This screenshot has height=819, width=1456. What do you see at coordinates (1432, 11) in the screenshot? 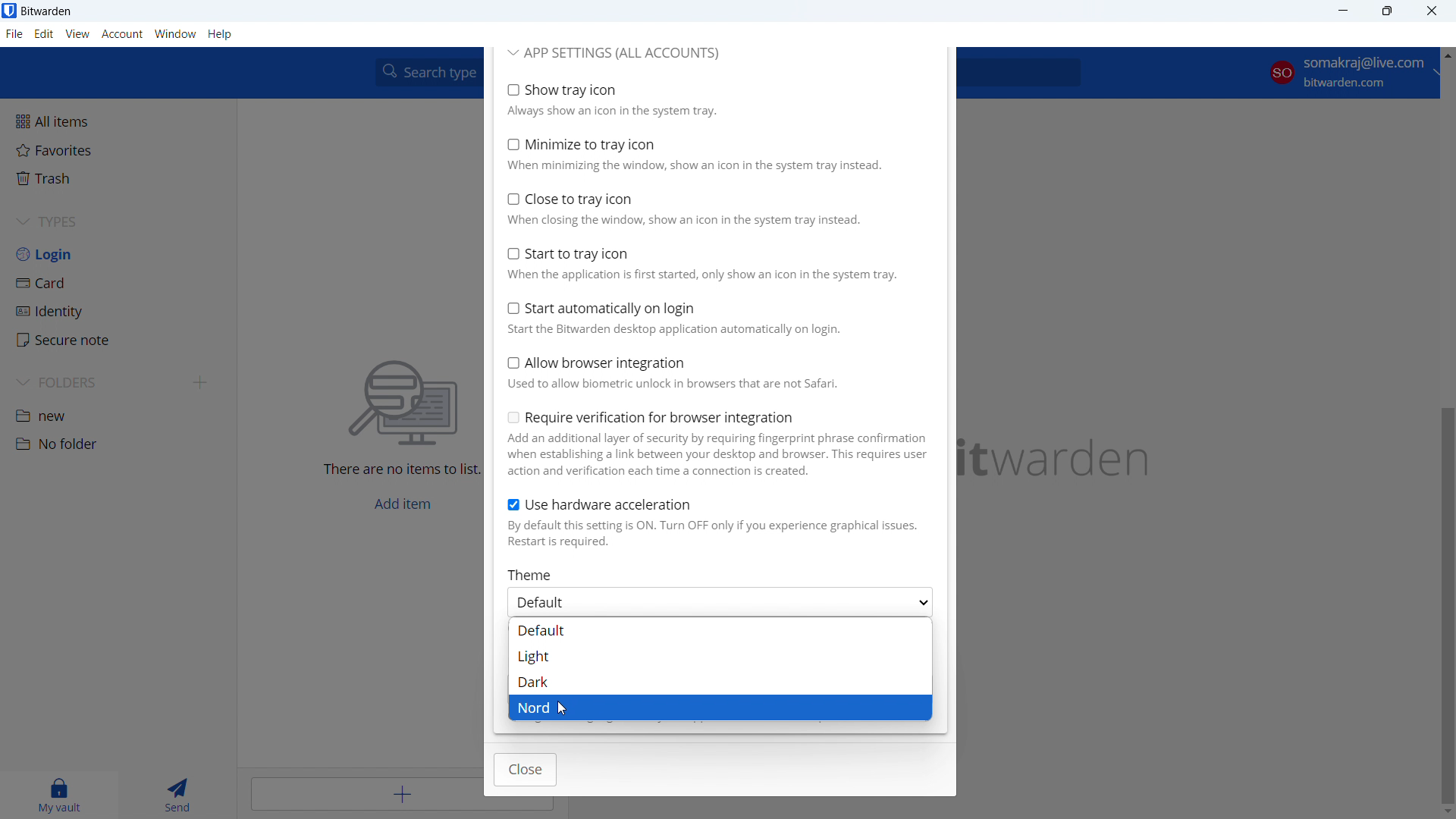
I see `close` at bounding box center [1432, 11].